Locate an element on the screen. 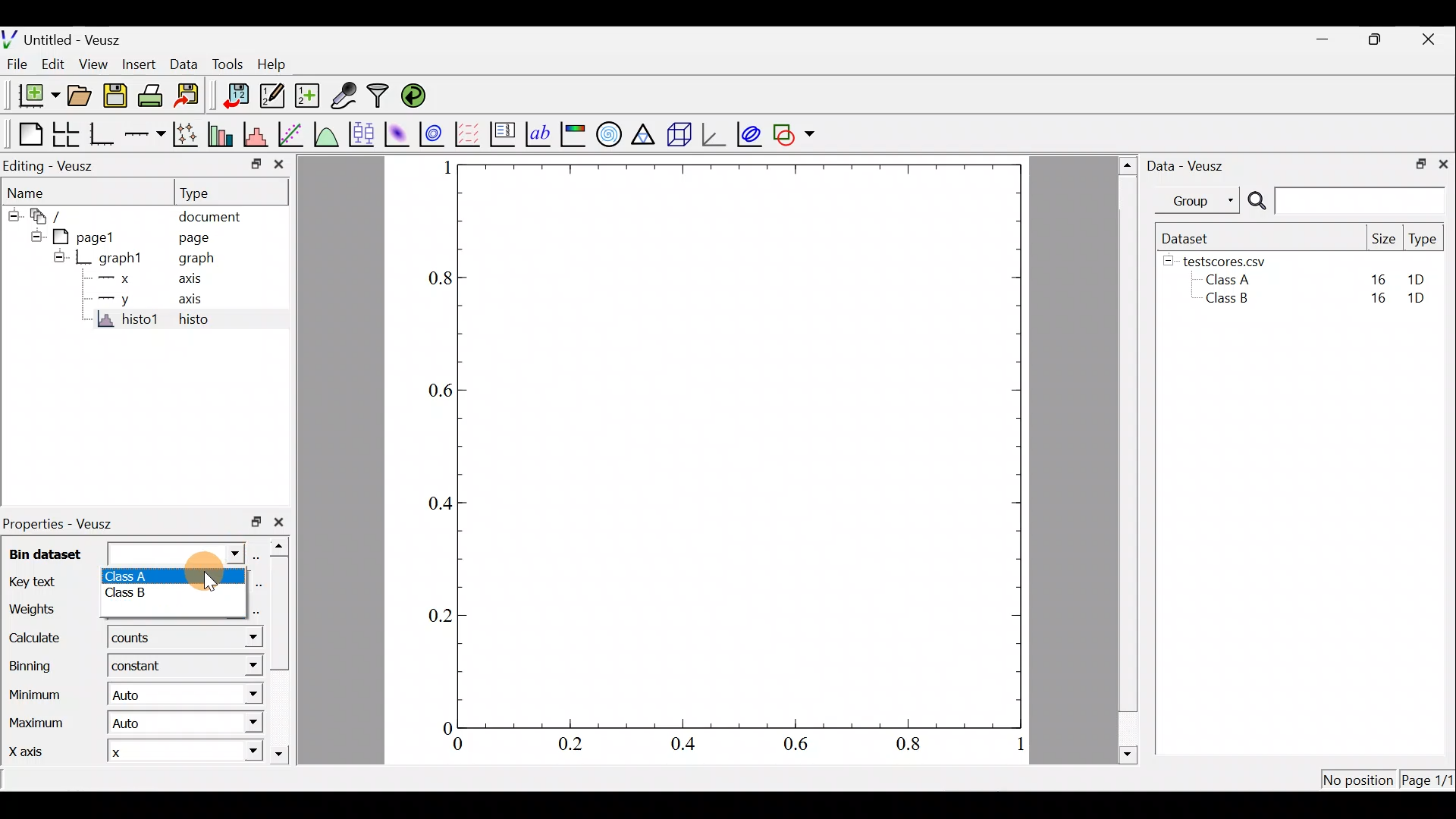  Calculate is located at coordinates (240, 641).